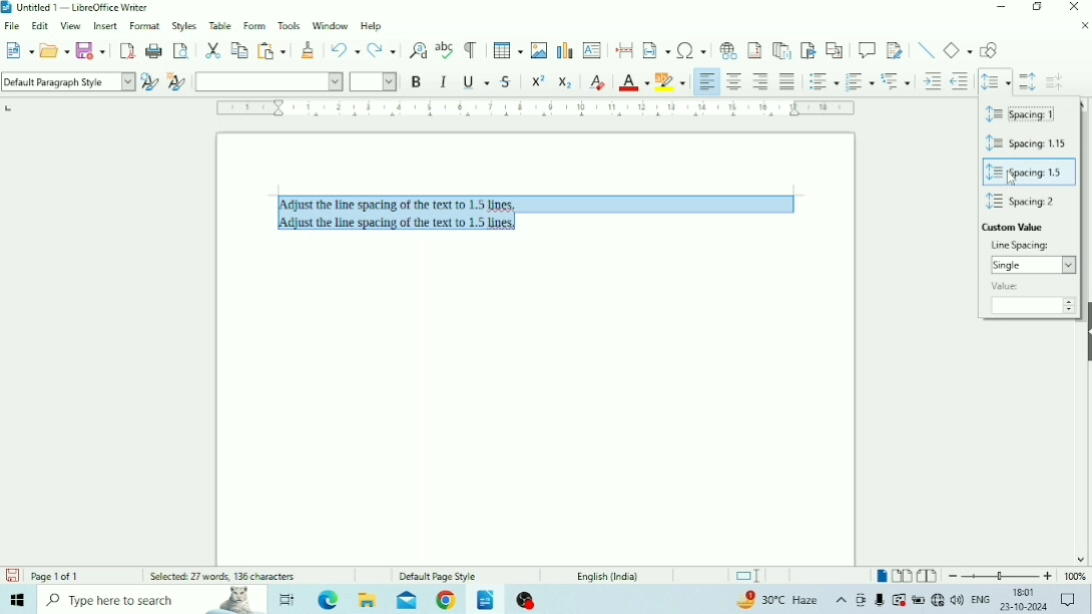  Describe the element at coordinates (692, 49) in the screenshot. I see `Insert Special Characters` at that location.